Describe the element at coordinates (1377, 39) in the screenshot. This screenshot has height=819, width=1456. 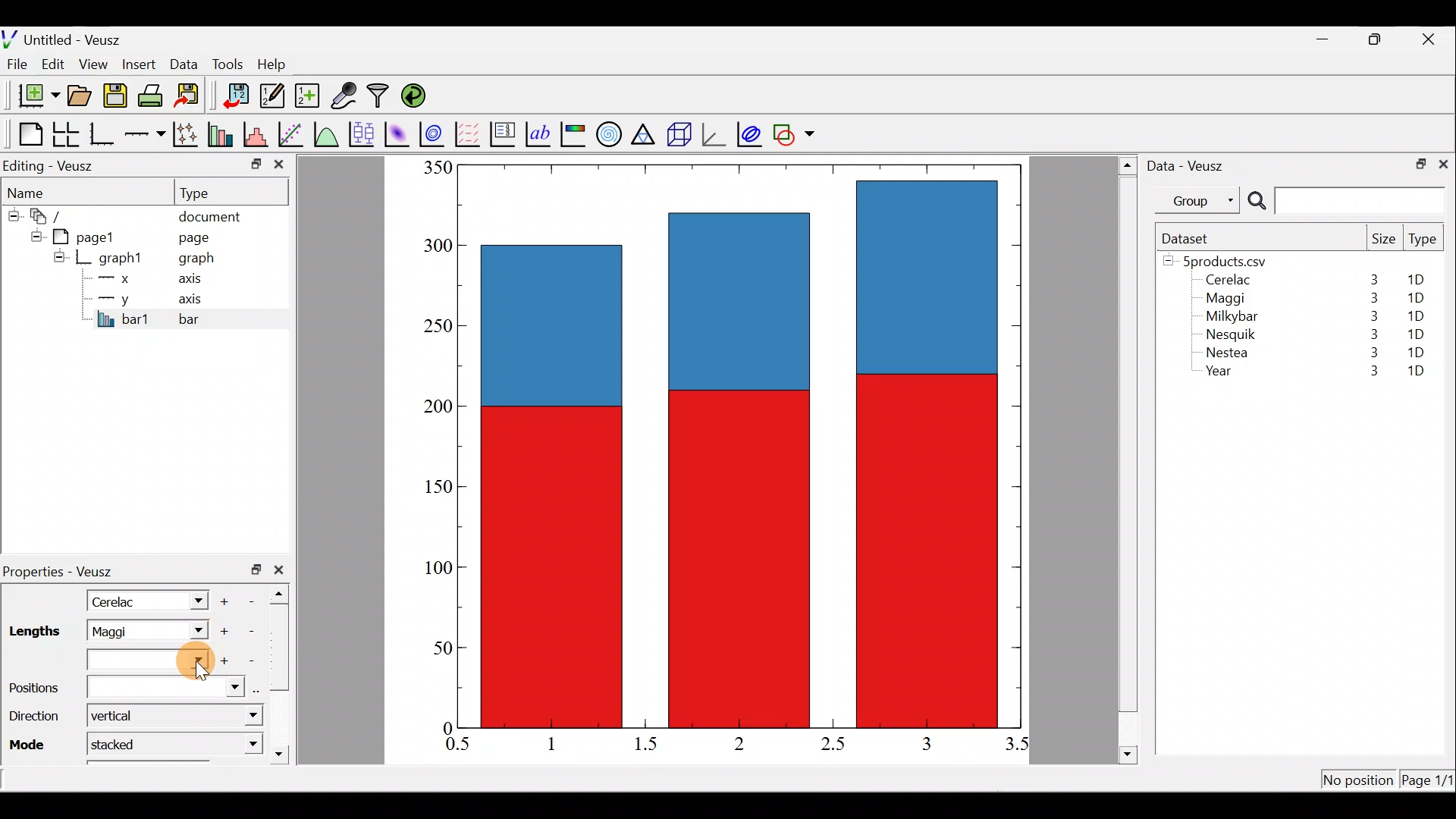
I see `restore down` at that location.